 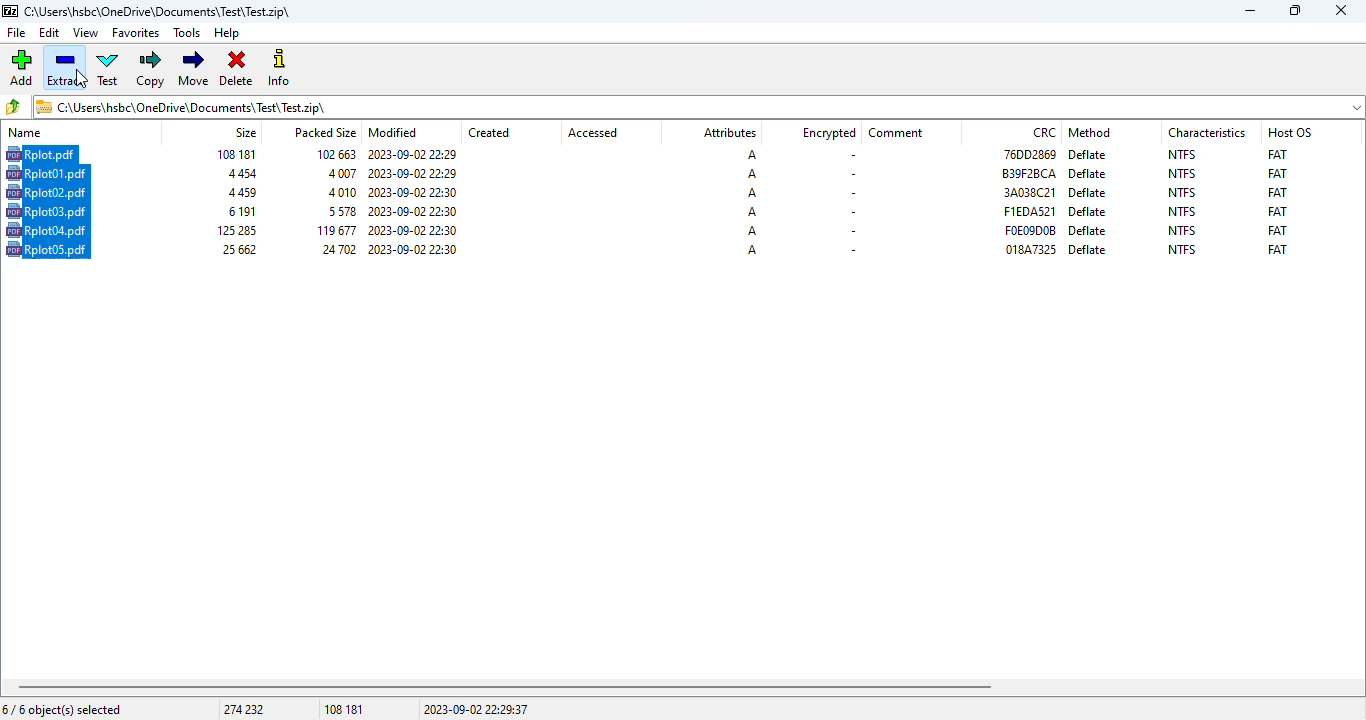 What do you see at coordinates (238, 249) in the screenshot?
I see `size` at bounding box center [238, 249].